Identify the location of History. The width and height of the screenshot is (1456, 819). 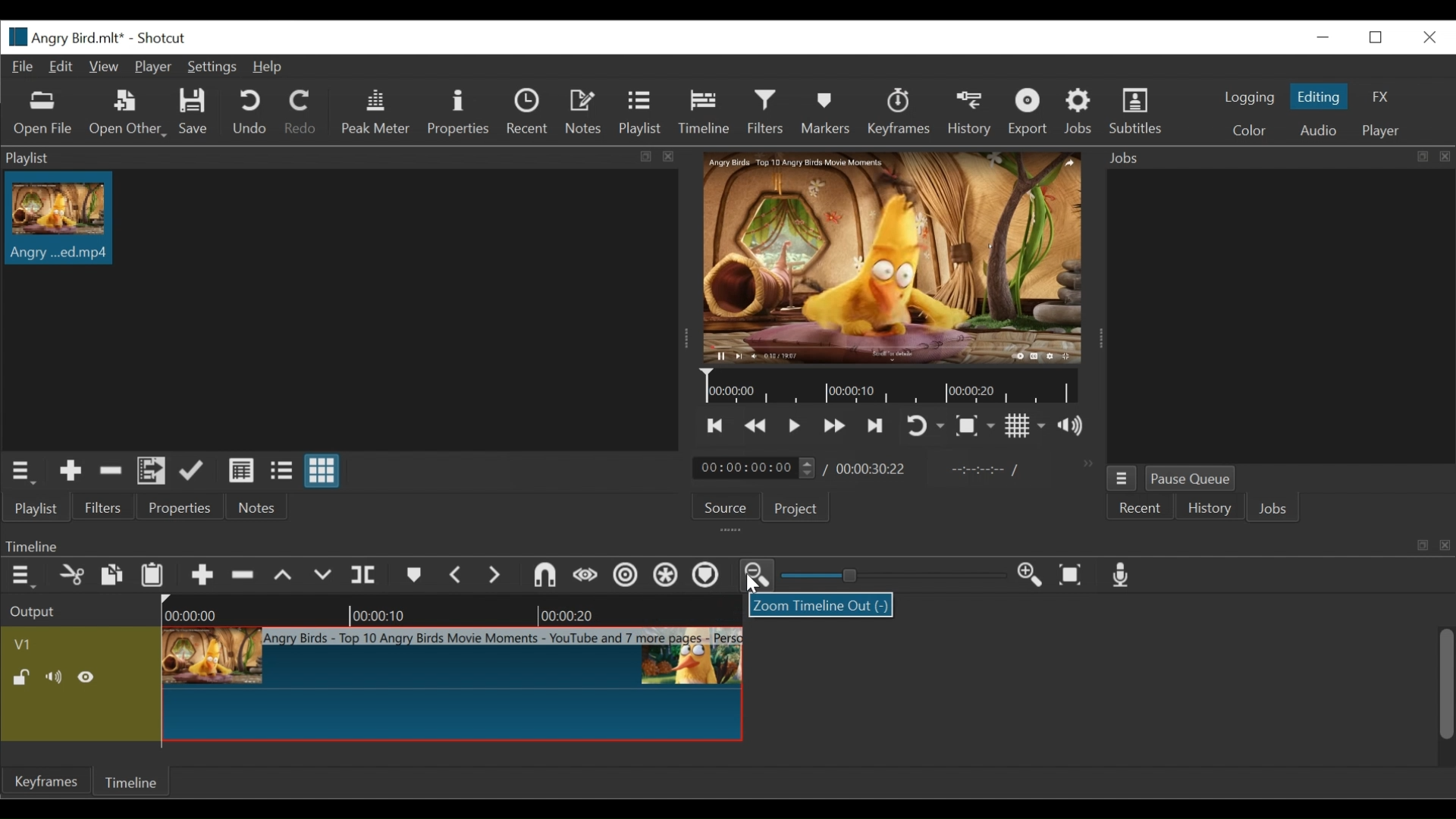
(970, 113).